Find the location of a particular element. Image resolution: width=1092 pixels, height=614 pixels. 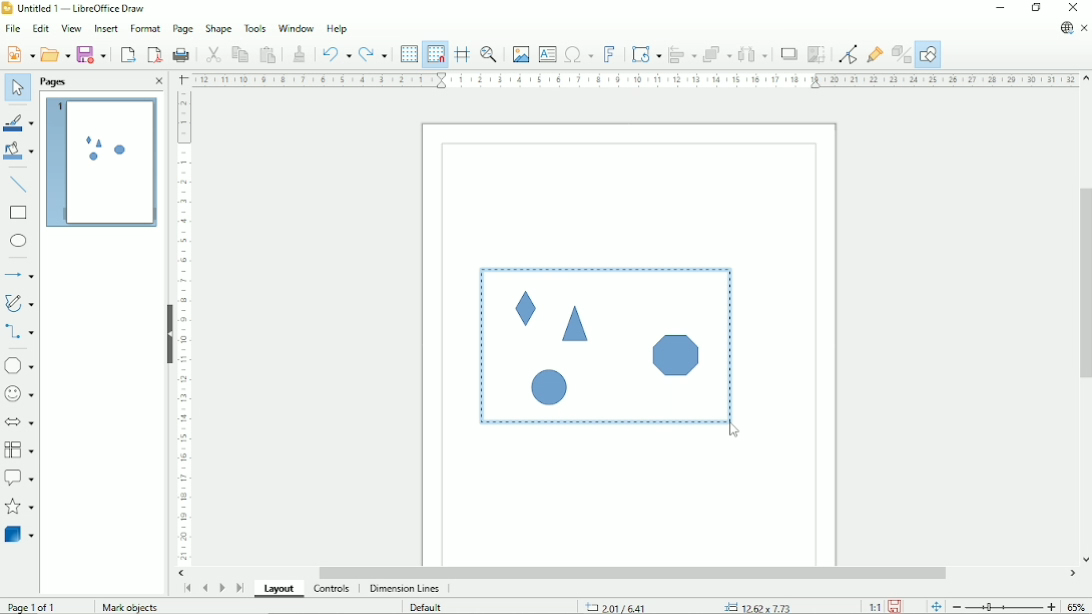

Close document is located at coordinates (1085, 29).